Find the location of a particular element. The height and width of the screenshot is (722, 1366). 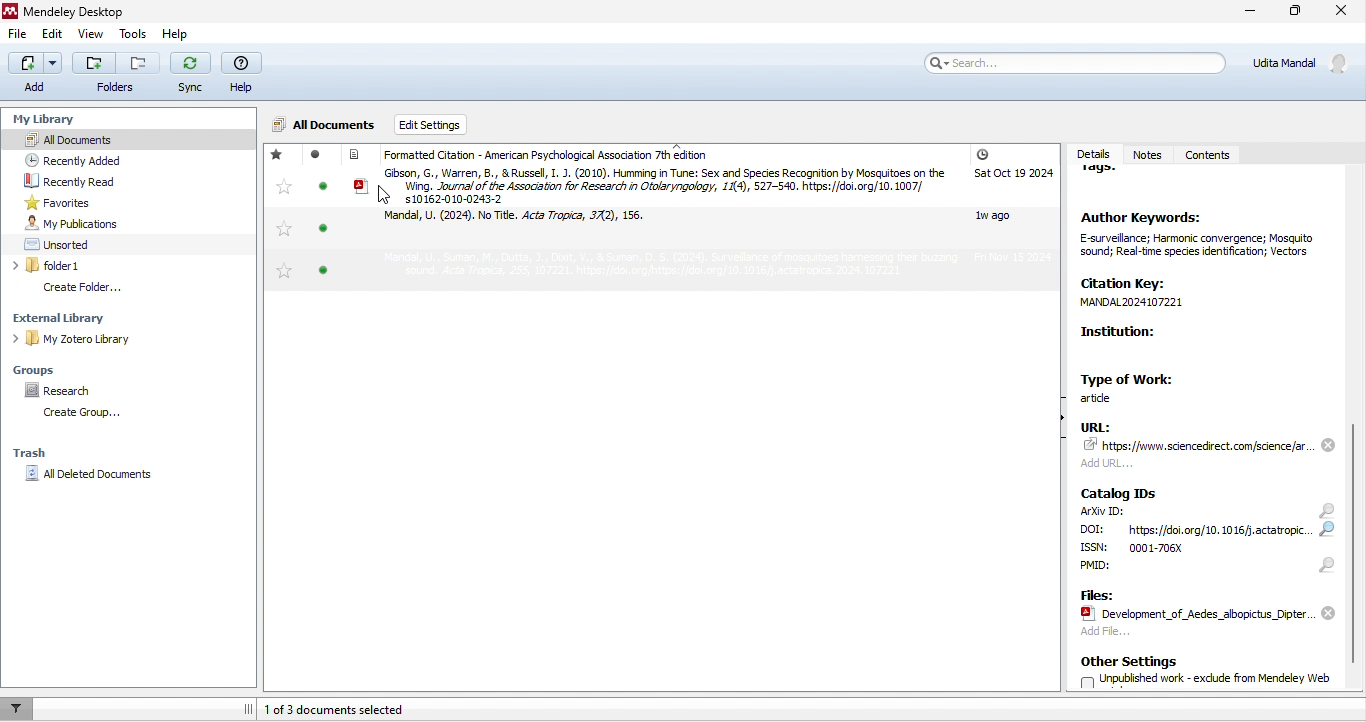

search is located at coordinates (1325, 538).